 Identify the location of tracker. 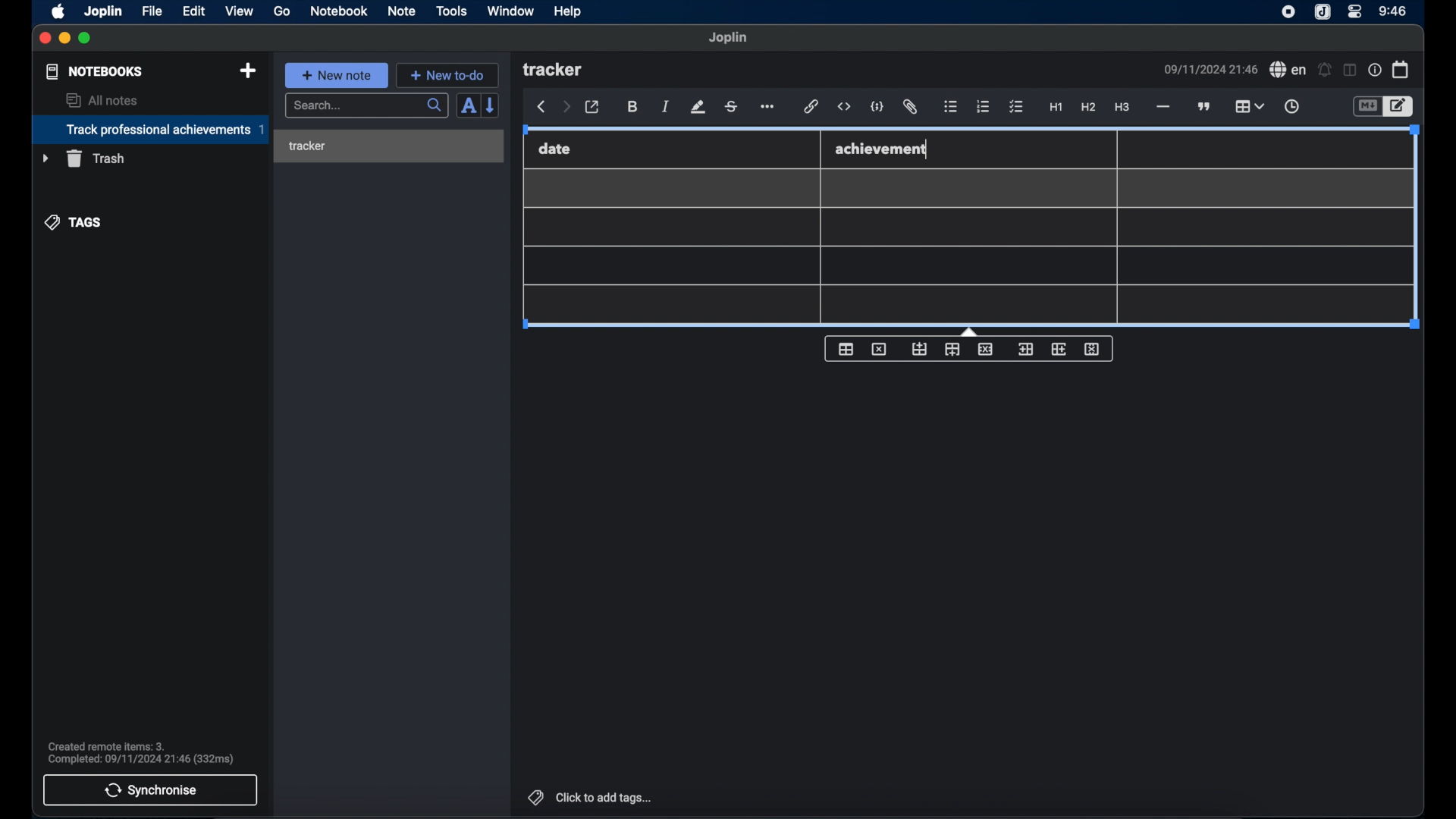
(554, 71).